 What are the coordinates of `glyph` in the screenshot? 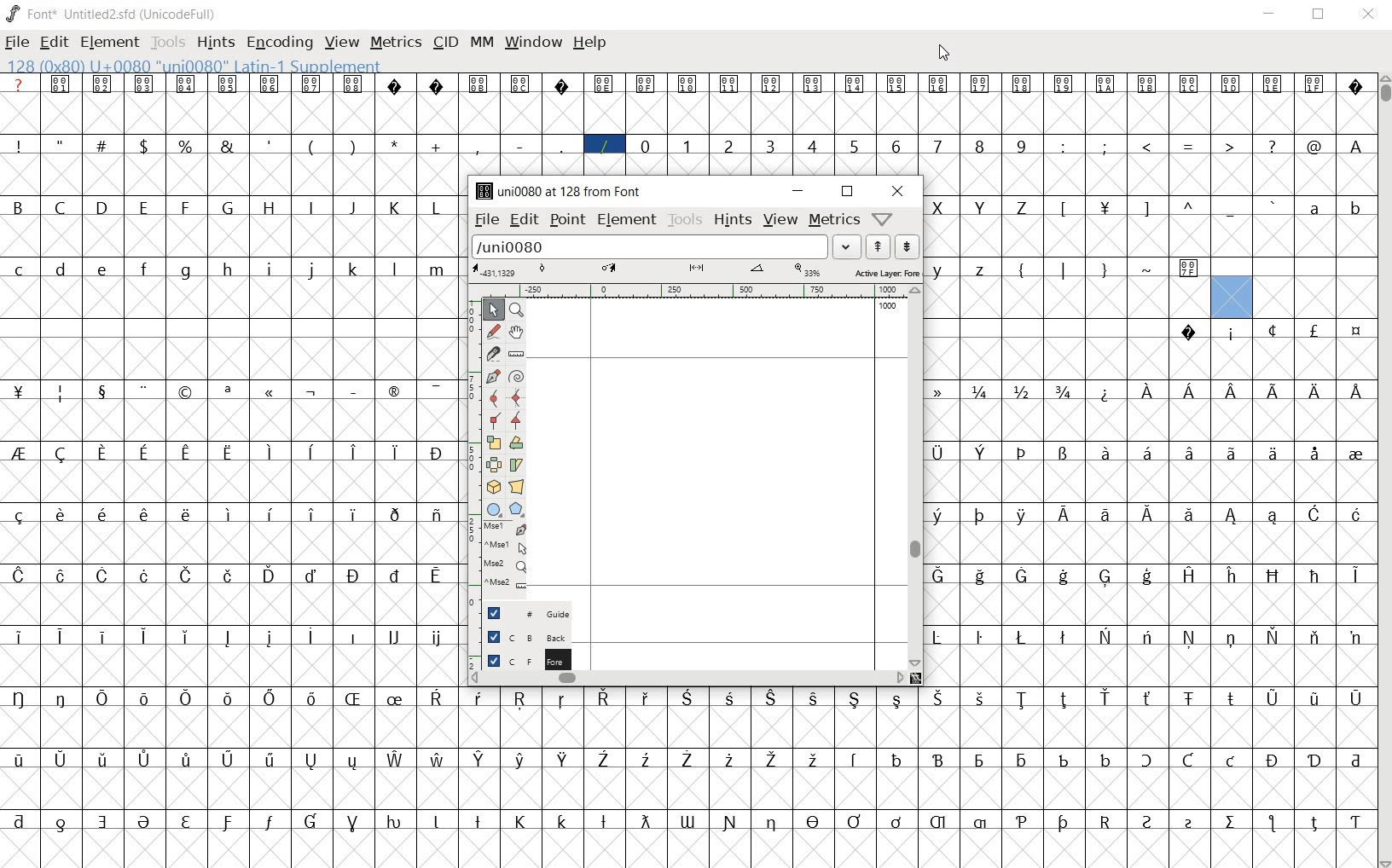 It's located at (143, 454).